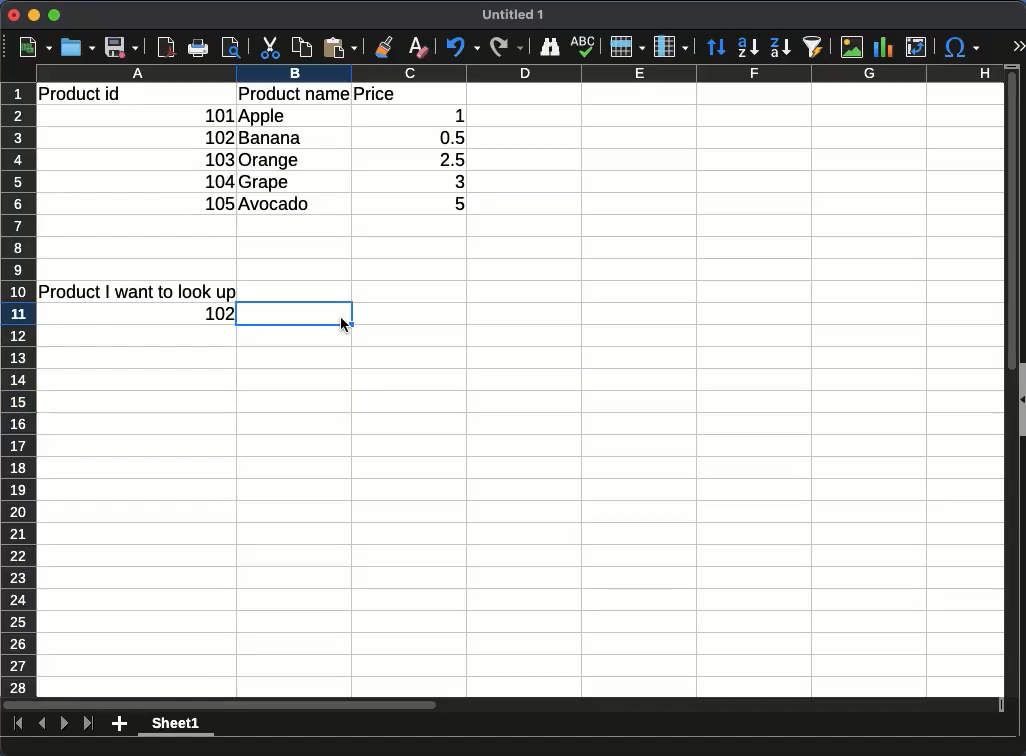 The width and height of the screenshot is (1026, 756). I want to click on print preview, so click(231, 48).